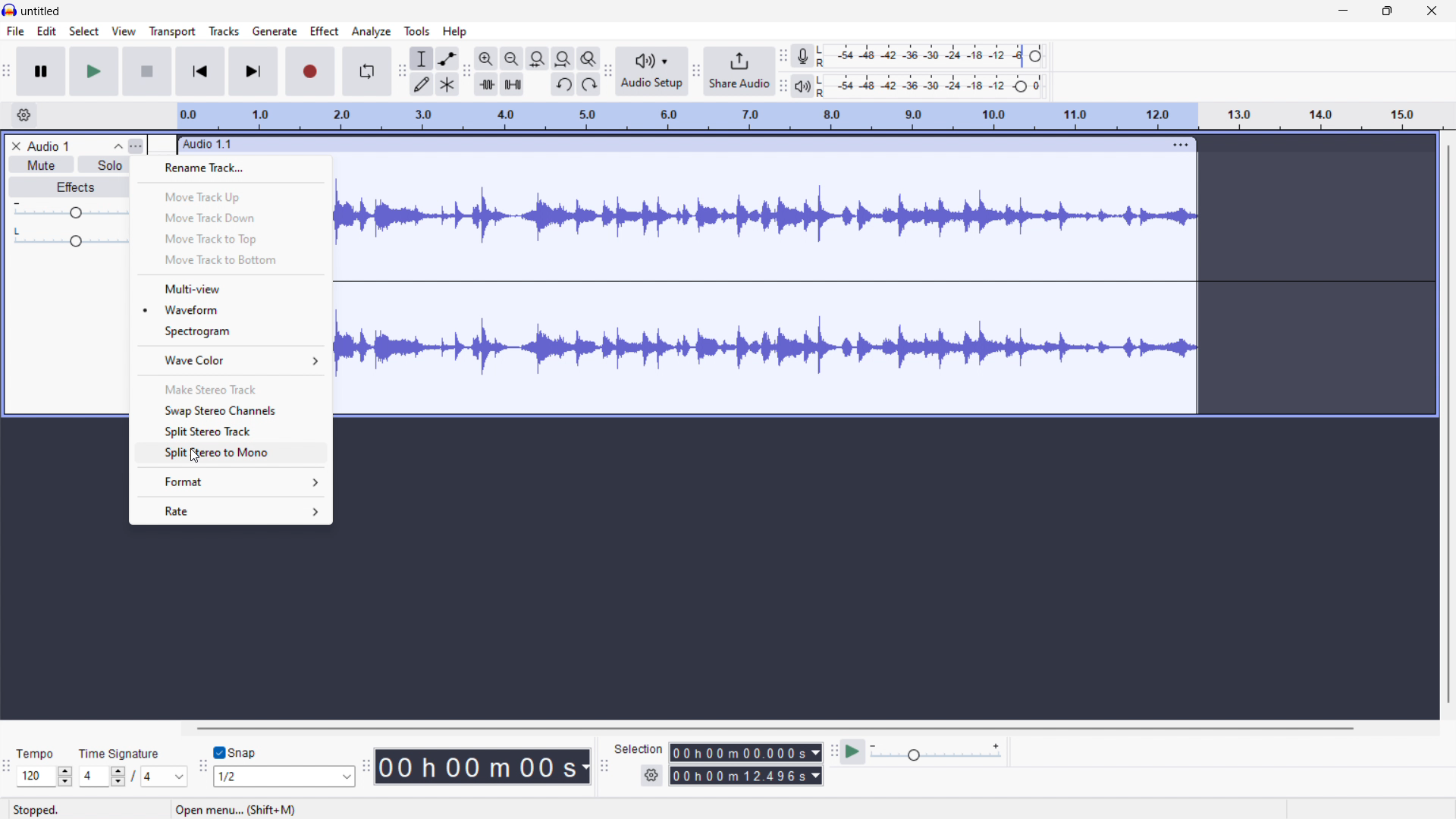 Image resolution: width=1456 pixels, height=819 pixels. I want to click on vertical scrollbar, so click(1449, 425).